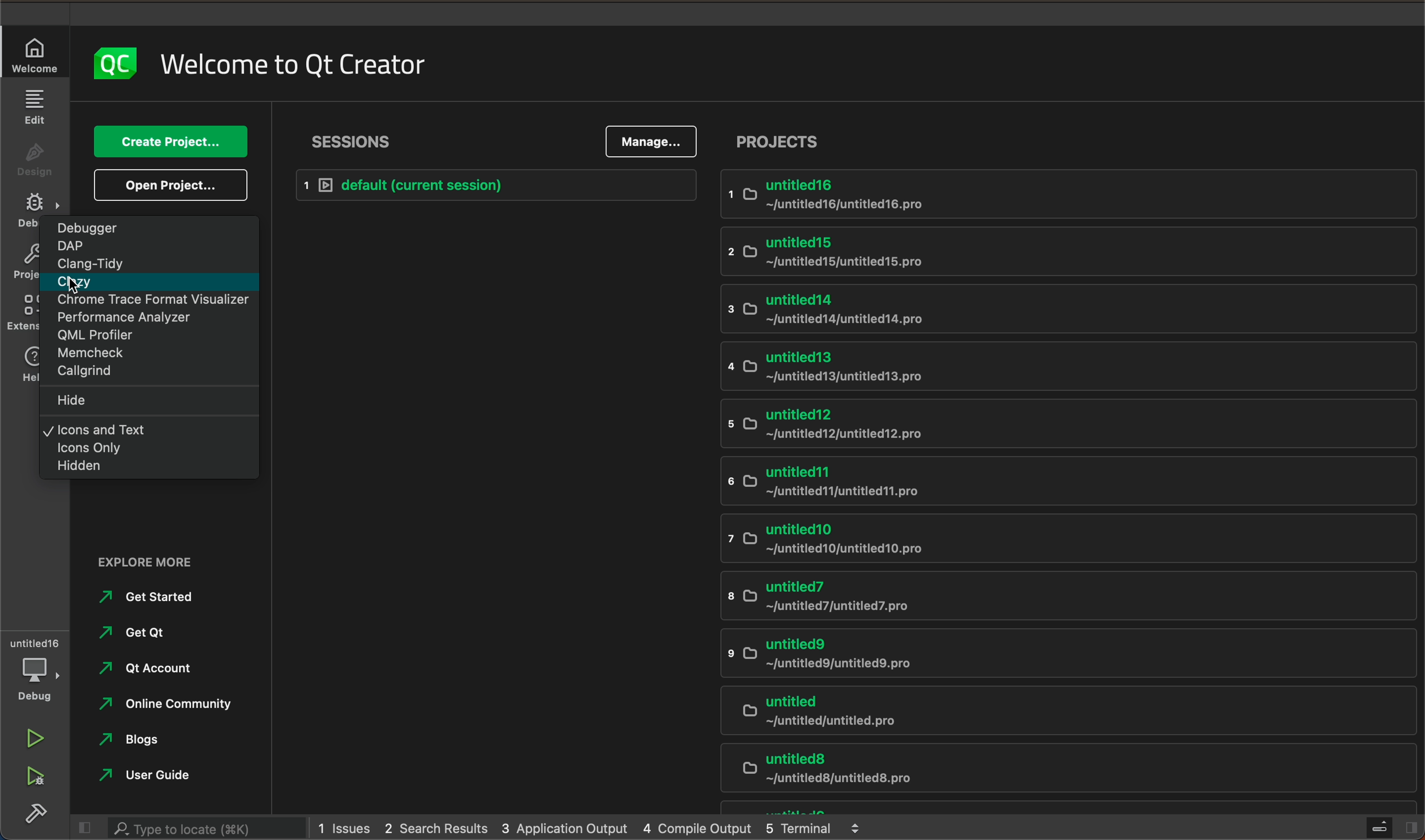 This screenshot has height=840, width=1425. Describe the element at coordinates (40, 816) in the screenshot. I see `build` at that location.